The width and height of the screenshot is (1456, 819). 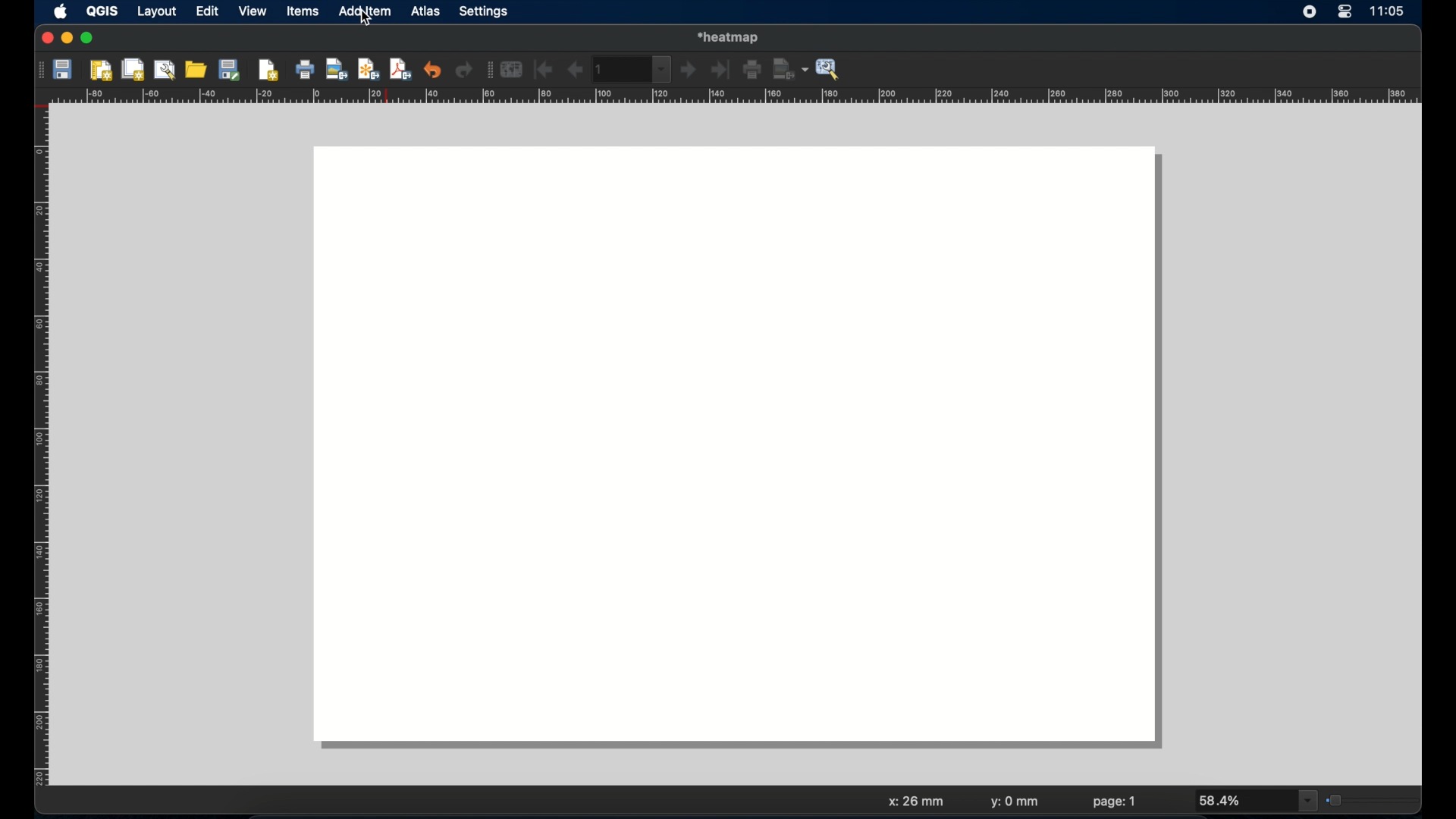 I want to click on settings, so click(x=485, y=12).